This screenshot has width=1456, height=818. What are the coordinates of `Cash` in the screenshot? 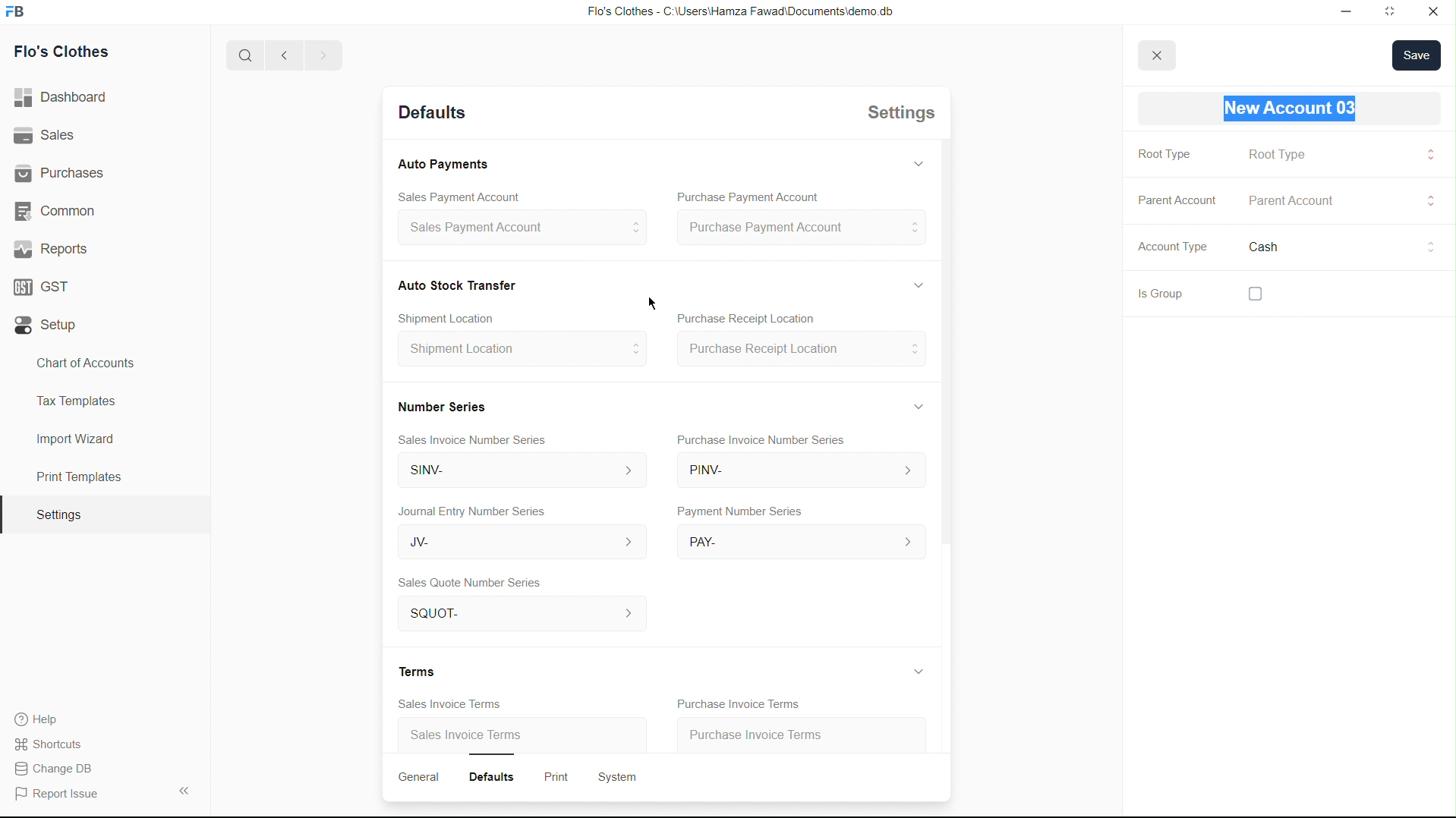 It's located at (1267, 249).